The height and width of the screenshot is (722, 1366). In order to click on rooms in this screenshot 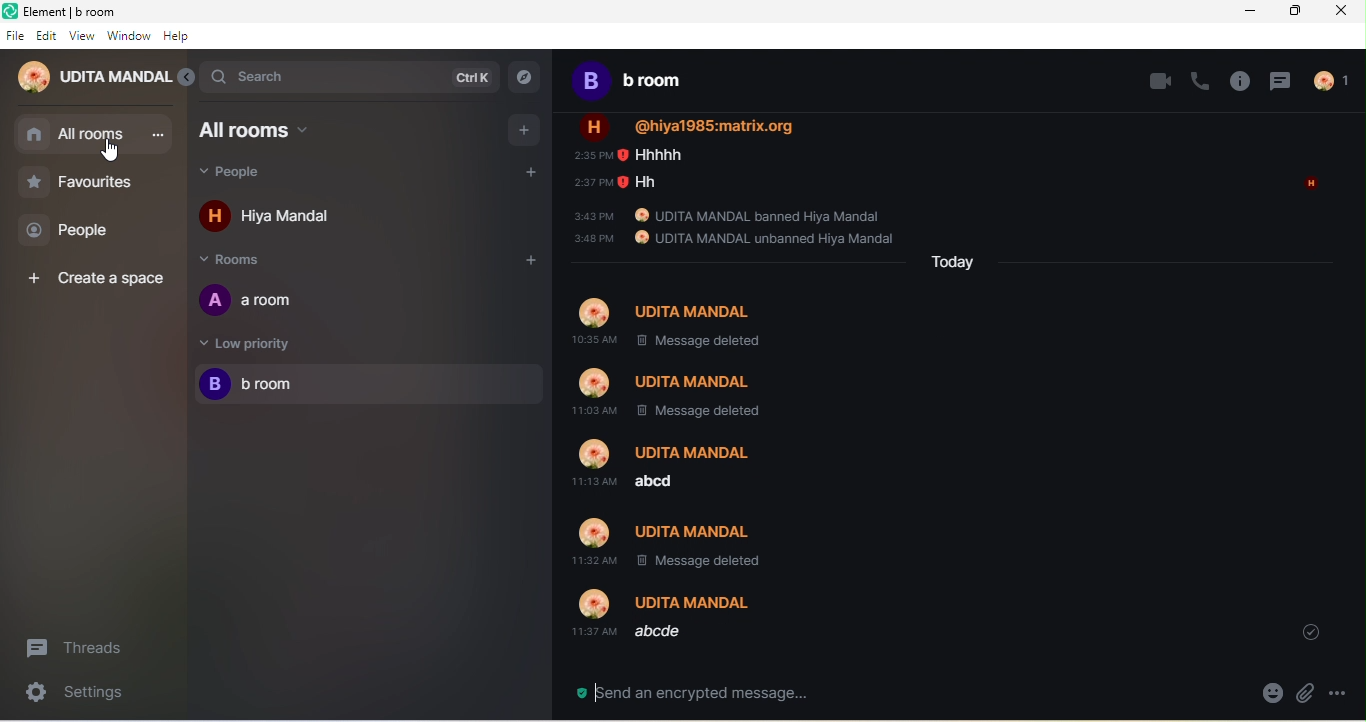, I will do `click(245, 258)`.